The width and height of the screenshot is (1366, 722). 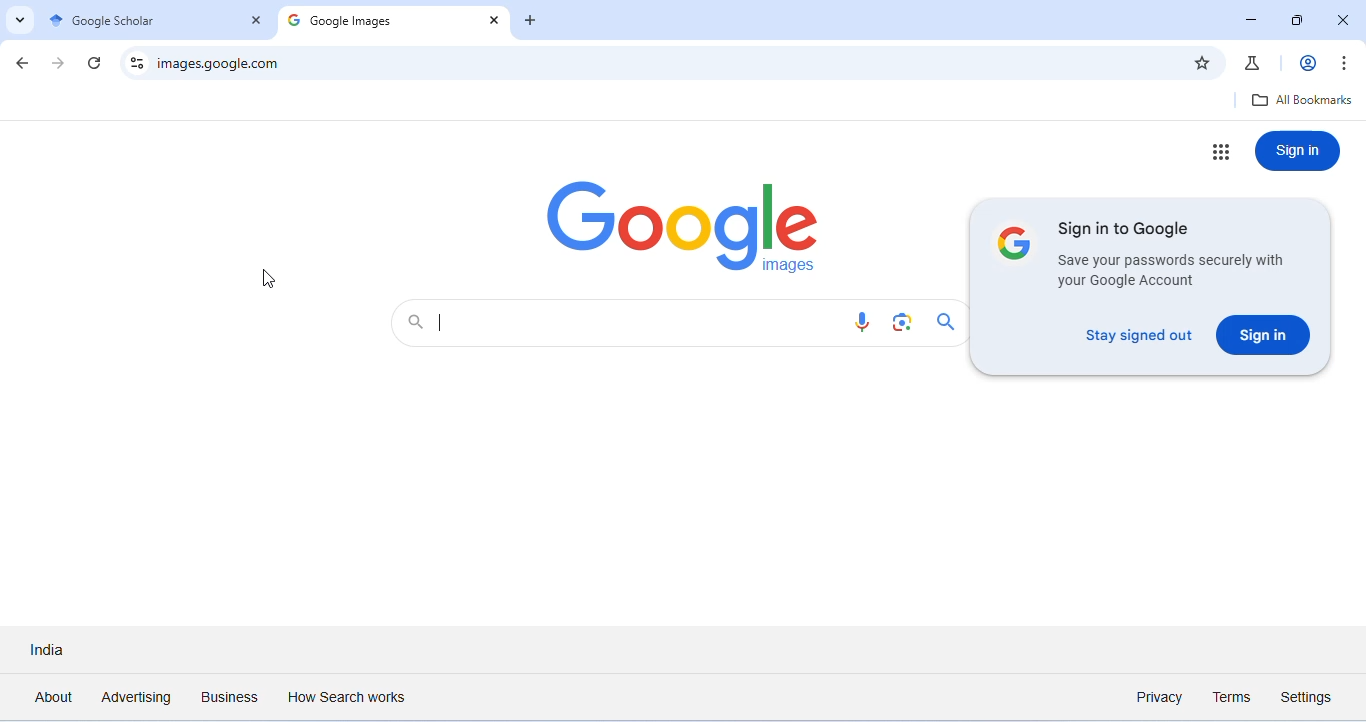 I want to click on search icon, so click(x=946, y=323).